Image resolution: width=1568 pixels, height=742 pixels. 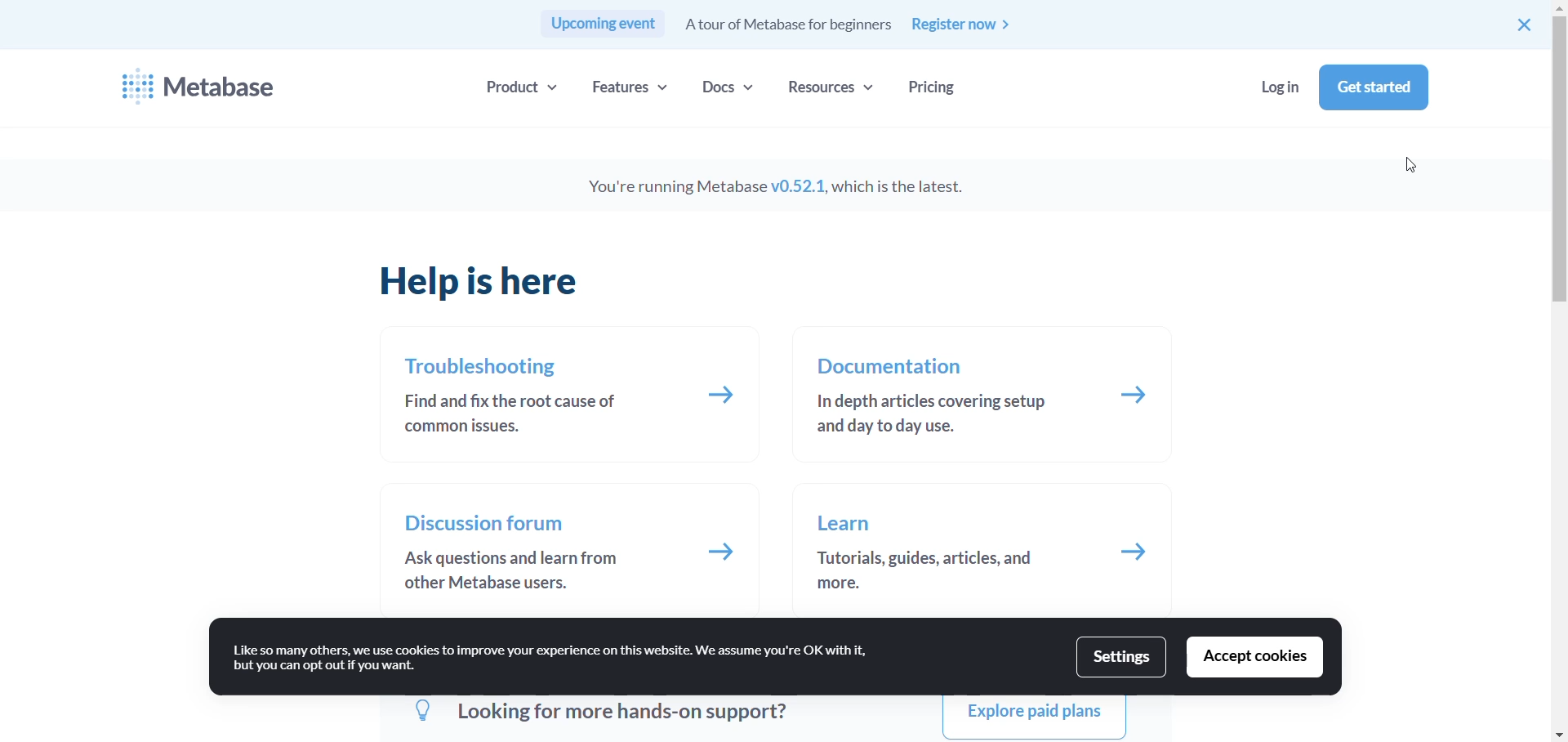 What do you see at coordinates (226, 89) in the screenshot?
I see `metabase ` at bounding box center [226, 89].